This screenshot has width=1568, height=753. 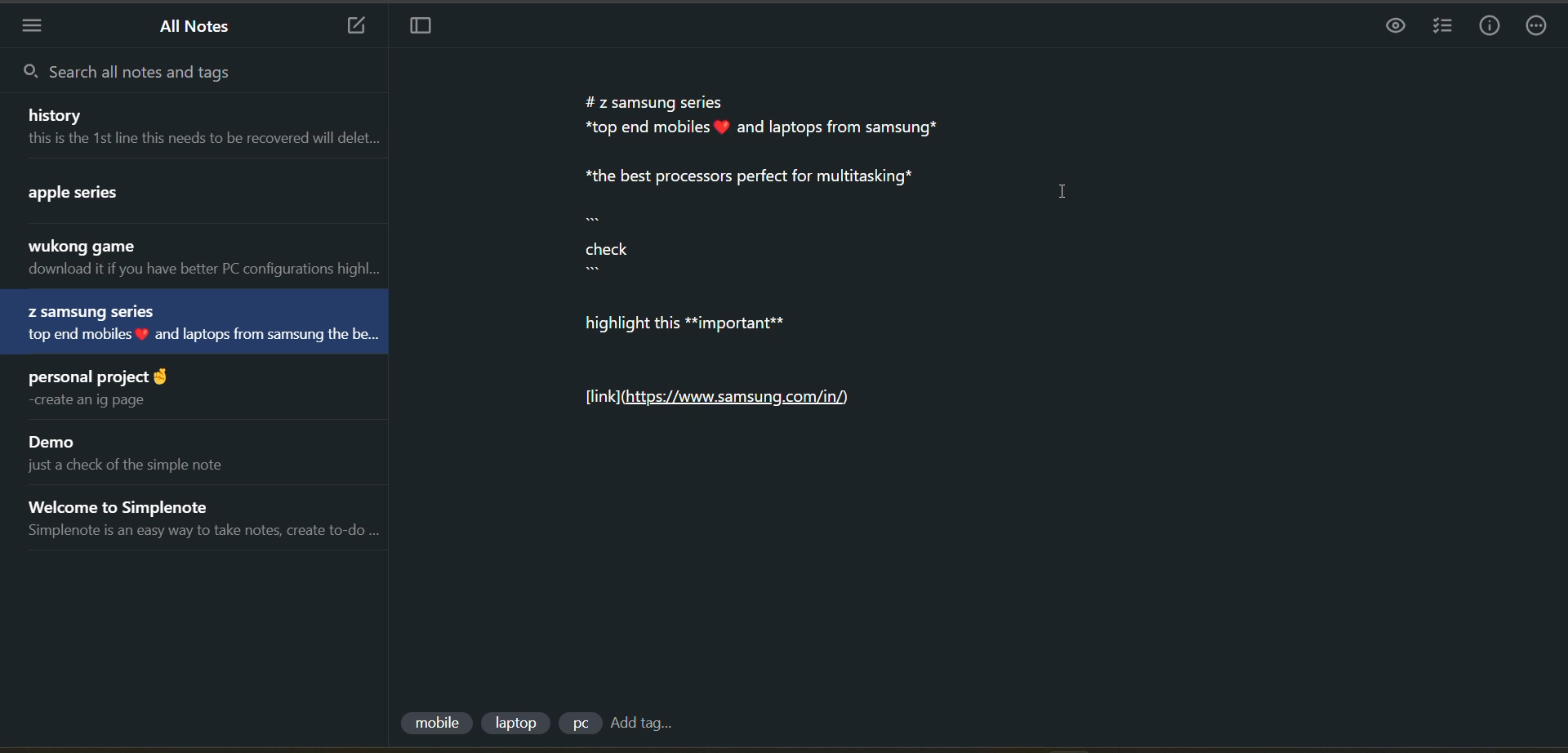 What do you see at coordinates (577, 726) in the screenshot?
I see `tag 3` at bounding box center [577, 726].